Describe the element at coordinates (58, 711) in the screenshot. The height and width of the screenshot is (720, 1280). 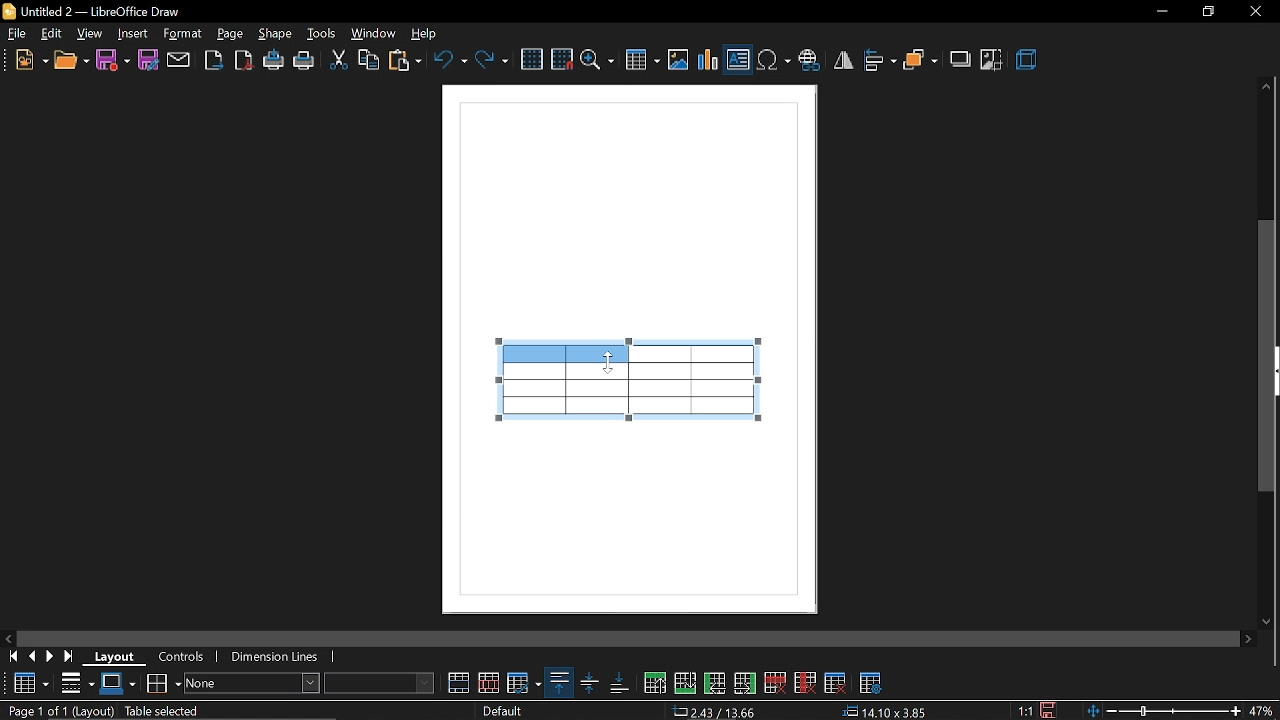
I see `Page 1 of 1 (Layout)` at that location.